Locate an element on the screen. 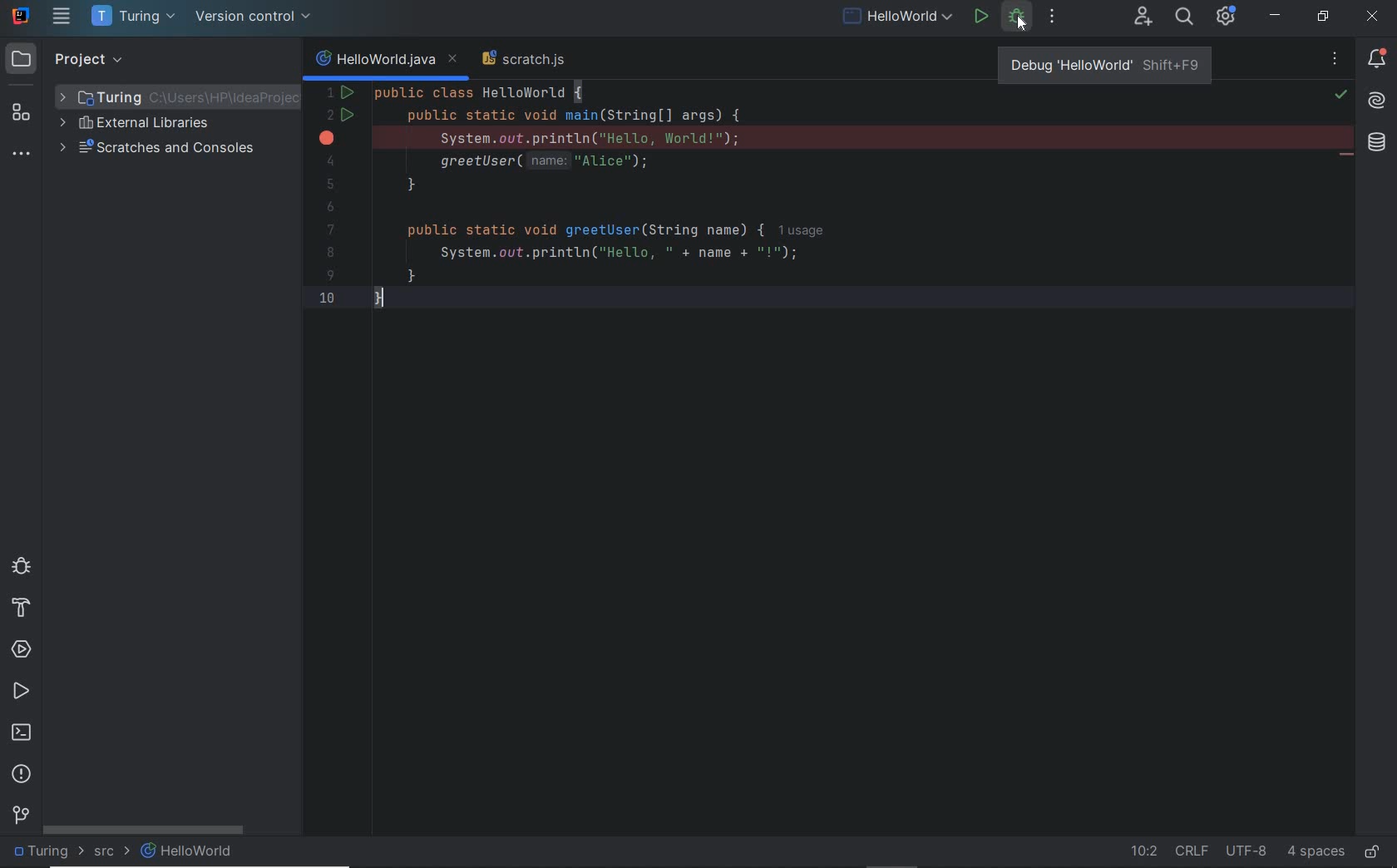  scroll bar is located at coordinates (147, 831).